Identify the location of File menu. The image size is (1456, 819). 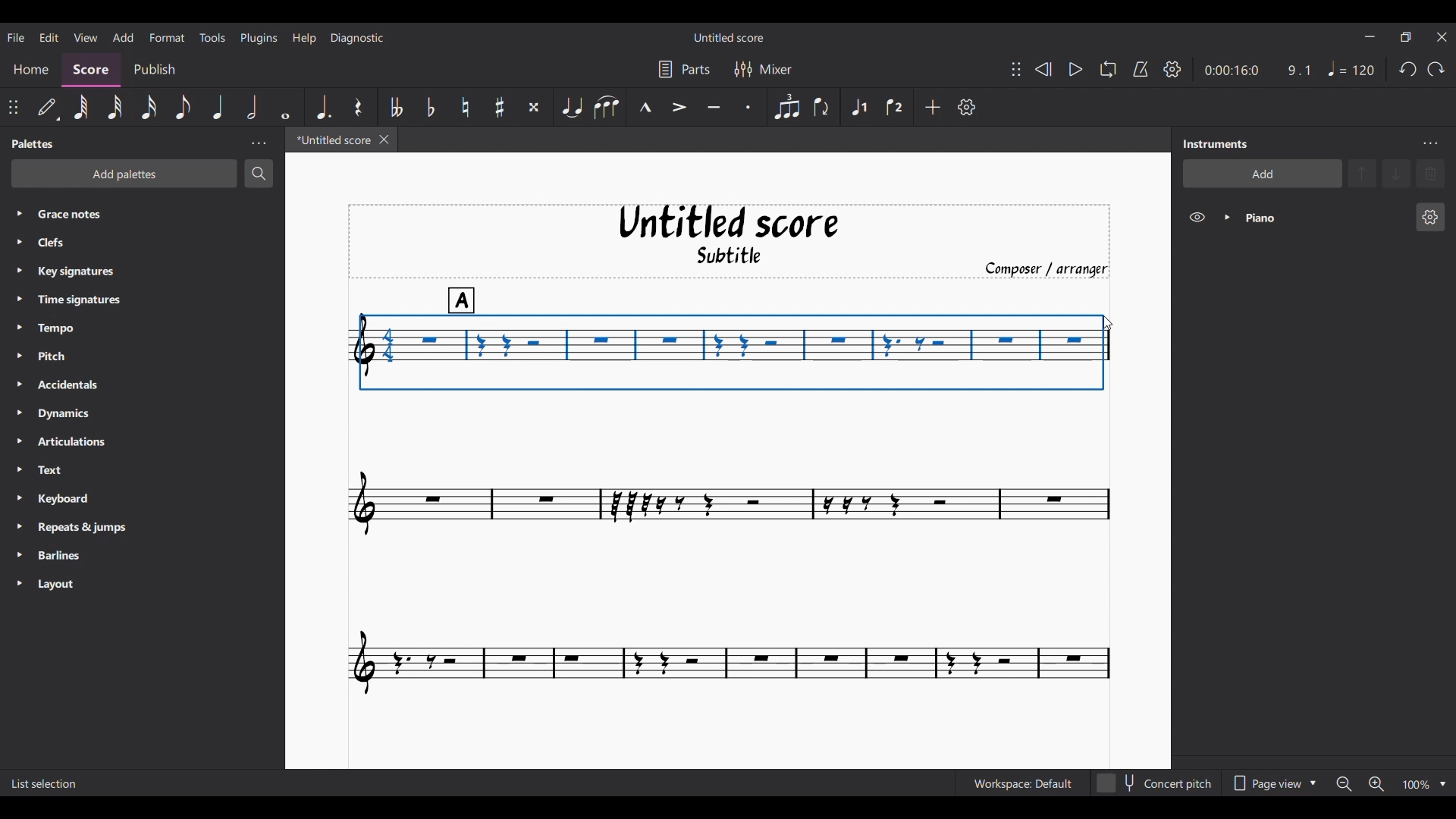
(15, 37).